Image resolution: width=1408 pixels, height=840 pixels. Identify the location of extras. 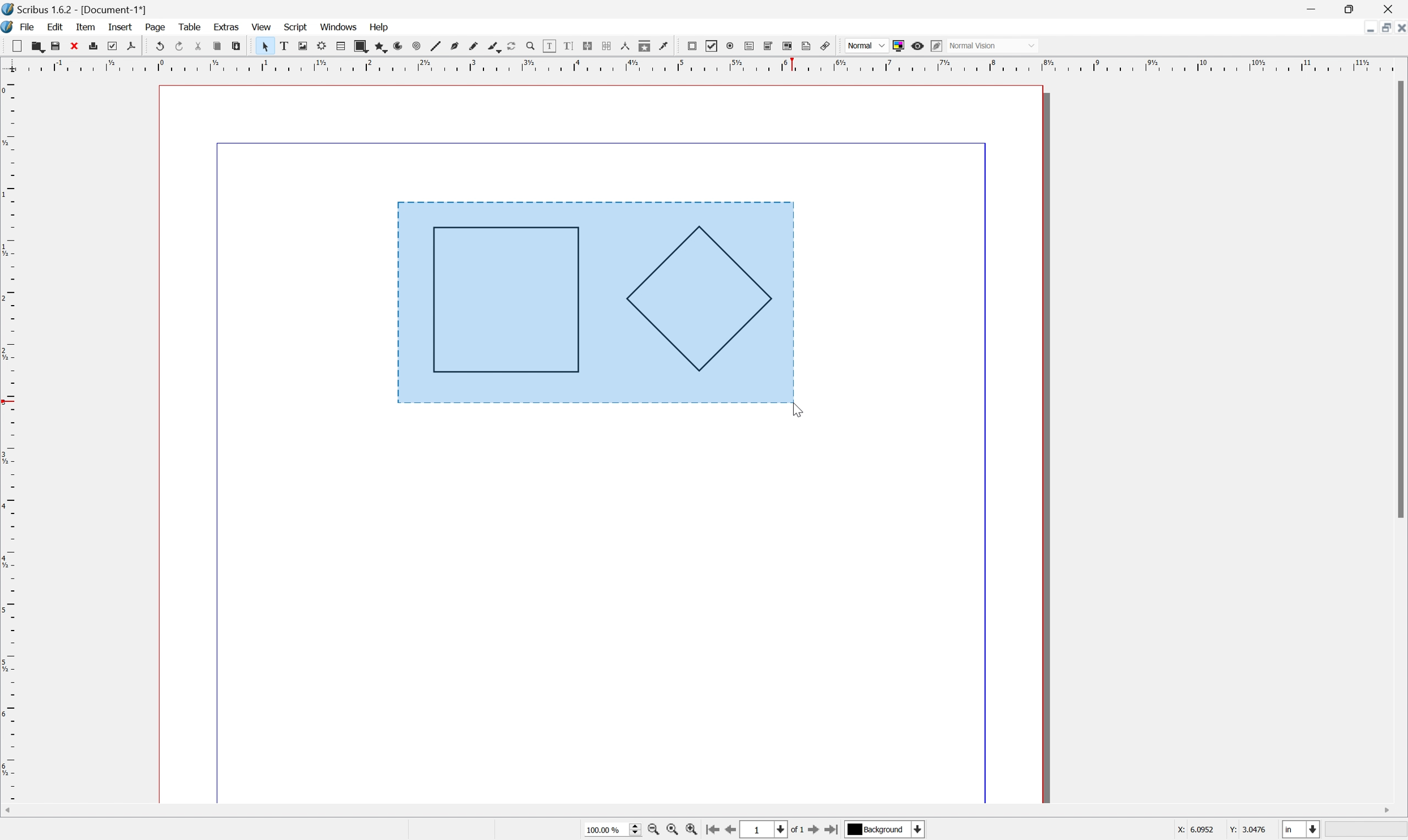
(226, 27).